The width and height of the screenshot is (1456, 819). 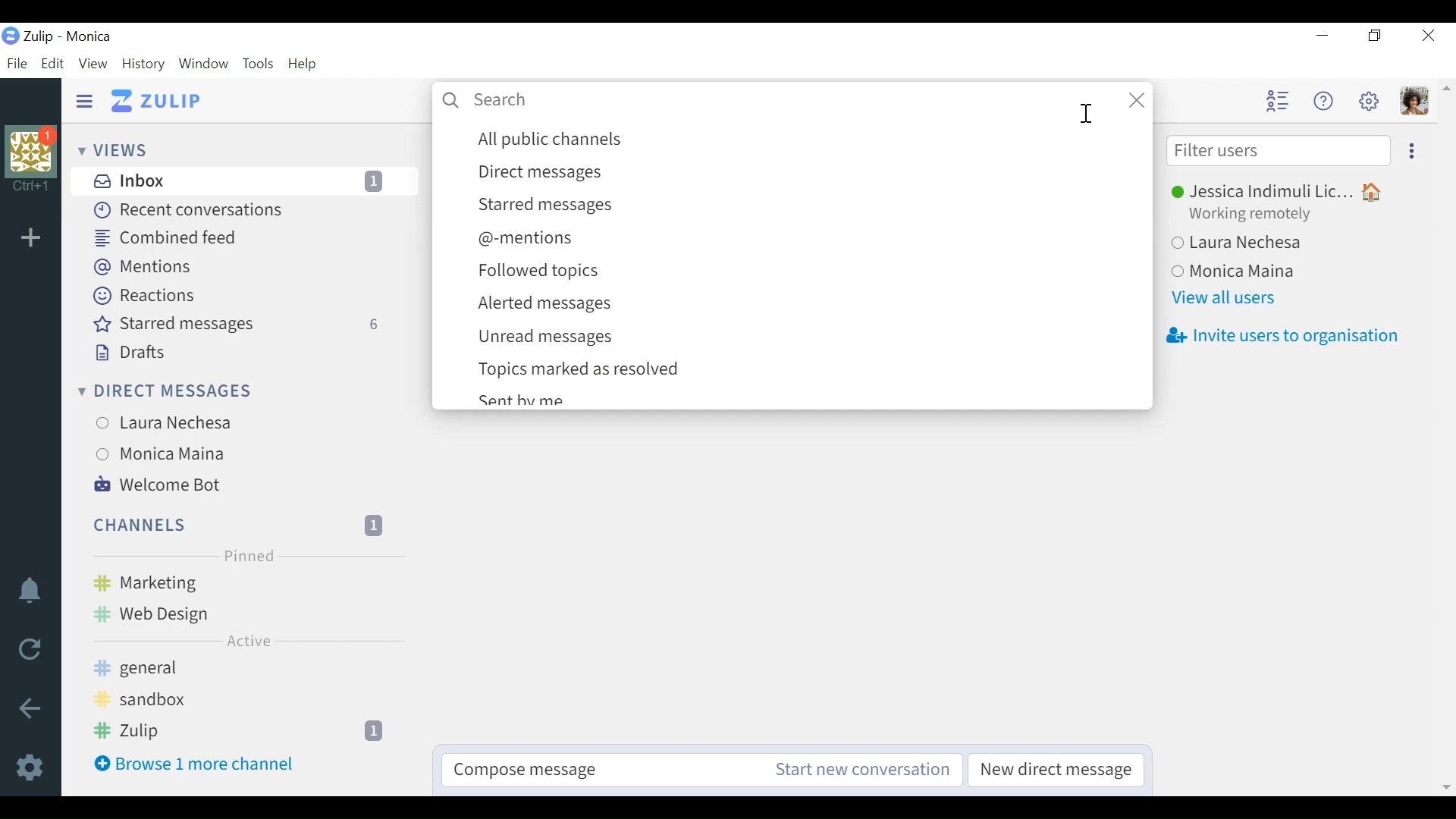 I want to click on Help menu, so click(x=1322, y=101).